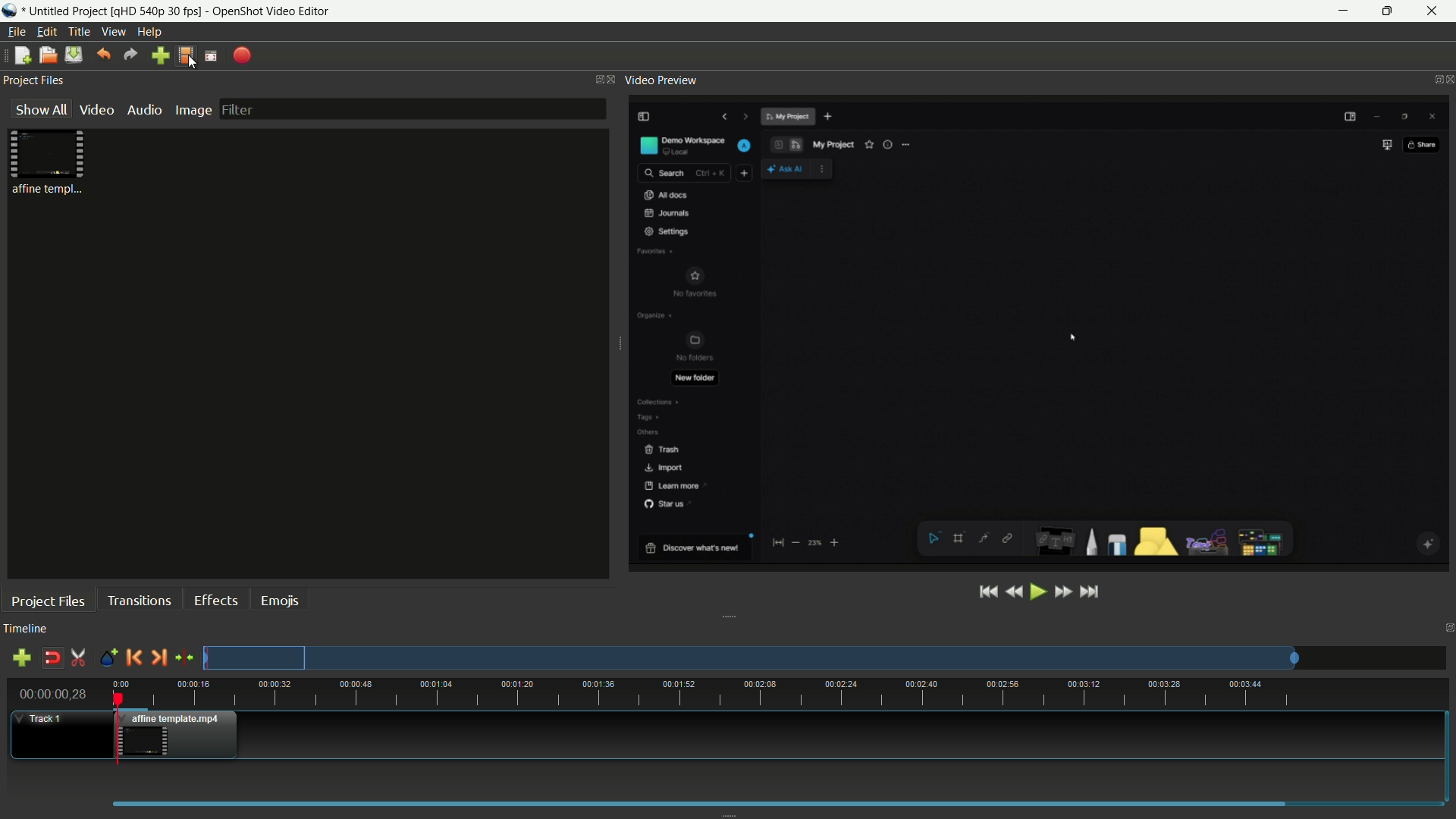 The height and width of the screenshot is (819, 1456). Describe the element at coordinates (102, 55) in the screenshot. I see `undo` at that location.